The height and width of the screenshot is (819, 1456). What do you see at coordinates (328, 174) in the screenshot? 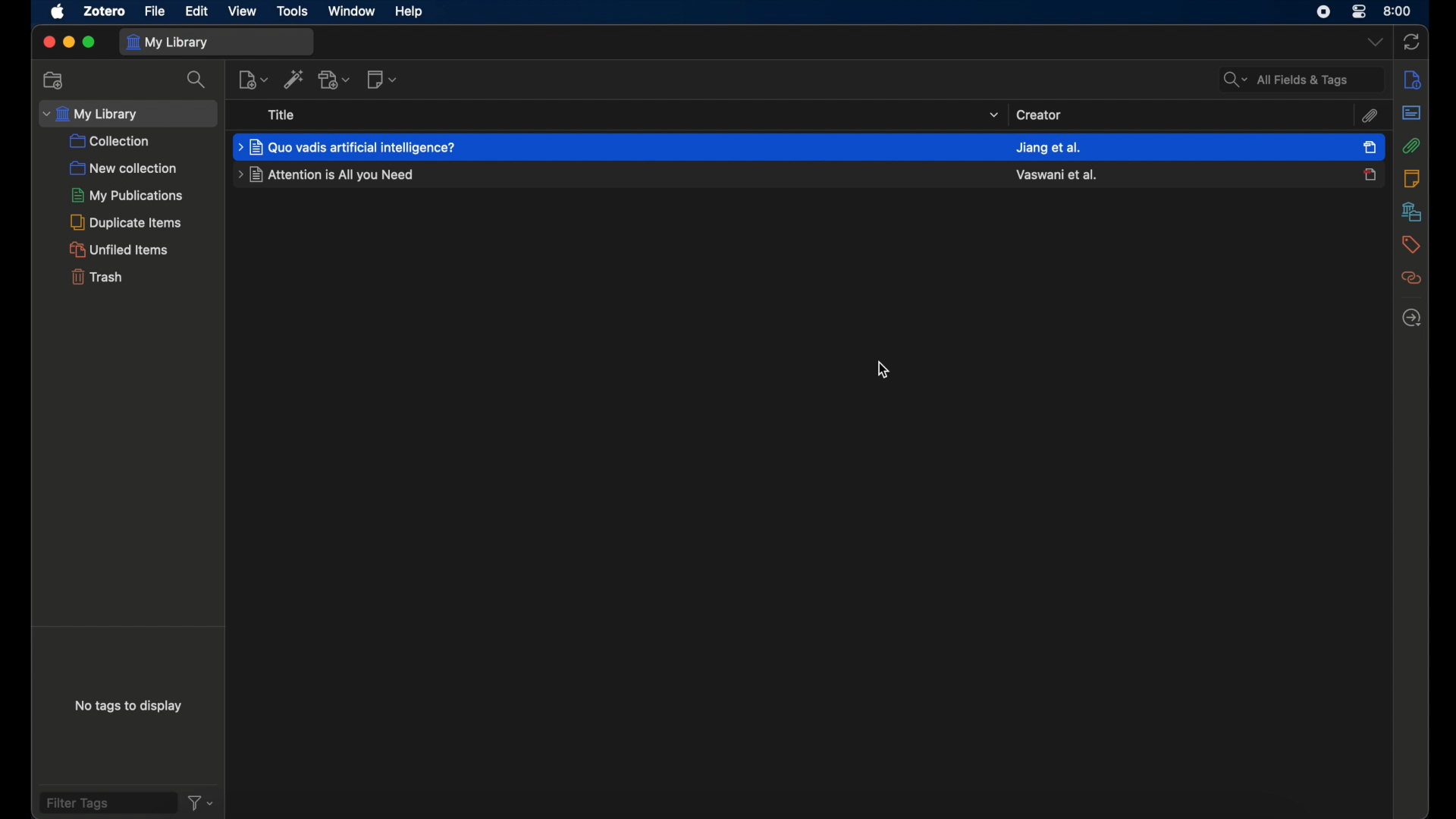
I see `item title` at bounding box center [328, 174].